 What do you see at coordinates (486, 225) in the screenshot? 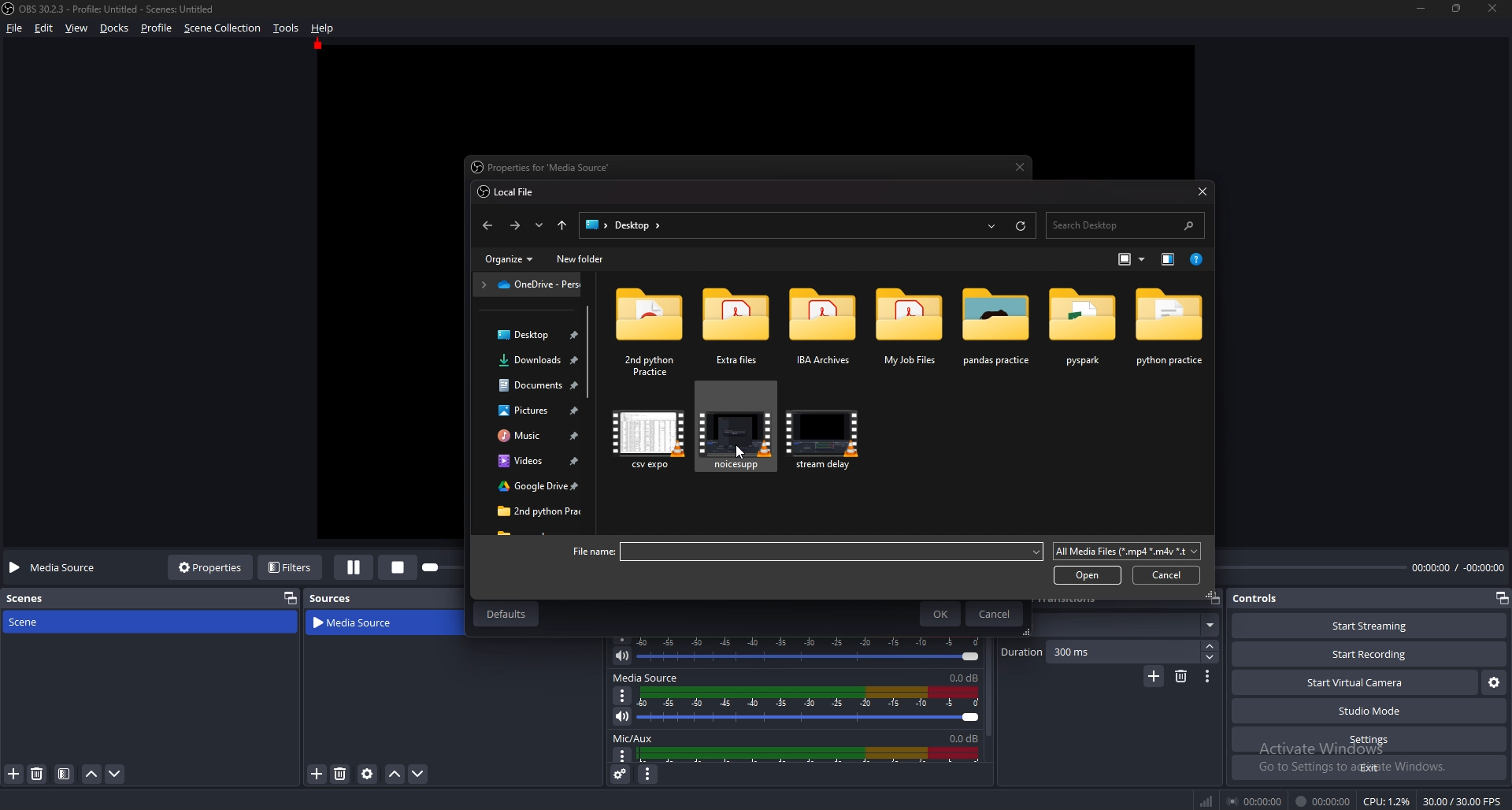
I see `back` at bounding box center [486, 225].